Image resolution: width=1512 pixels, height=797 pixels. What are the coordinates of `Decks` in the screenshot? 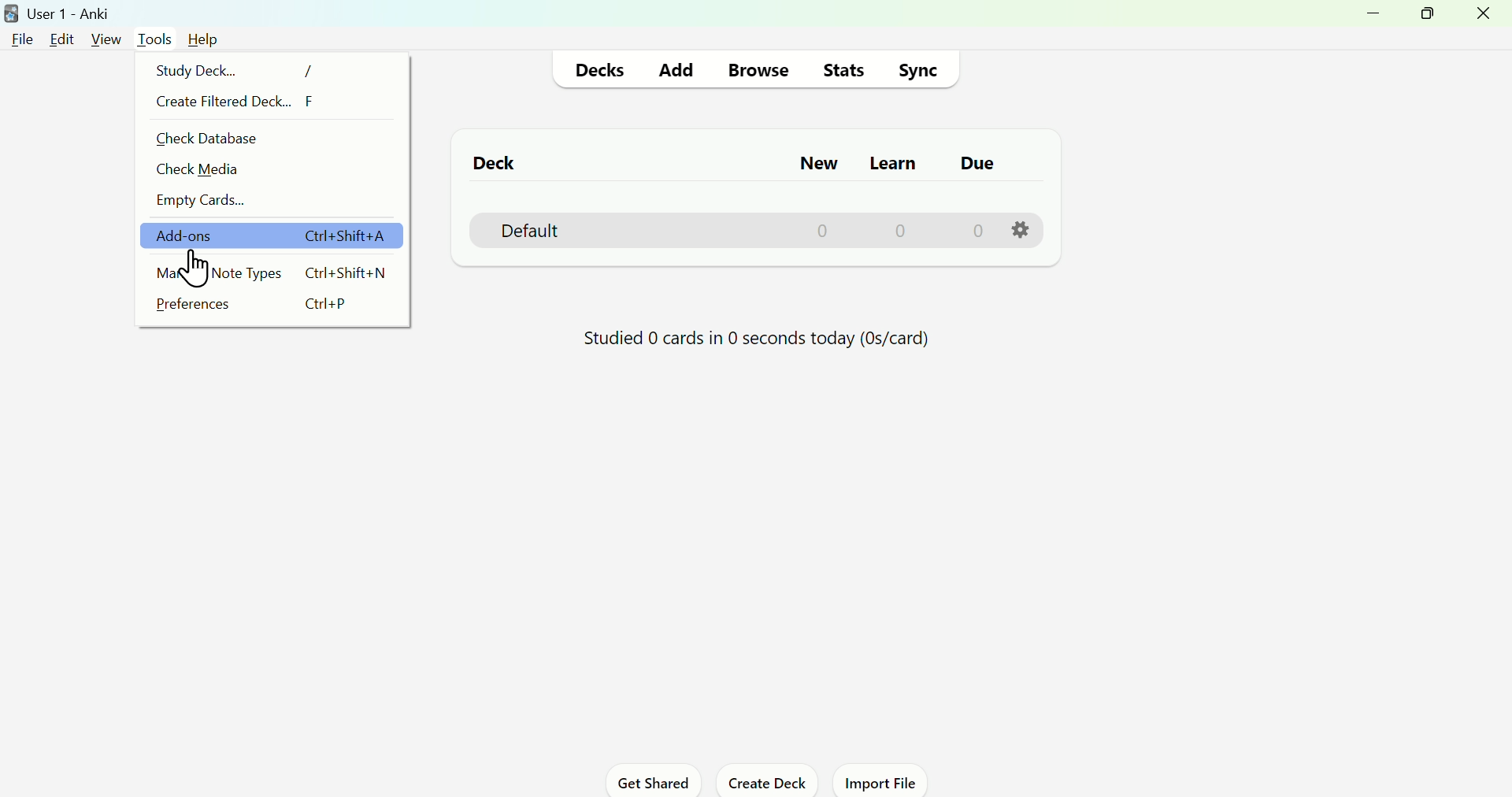 It's located at (599, 69).